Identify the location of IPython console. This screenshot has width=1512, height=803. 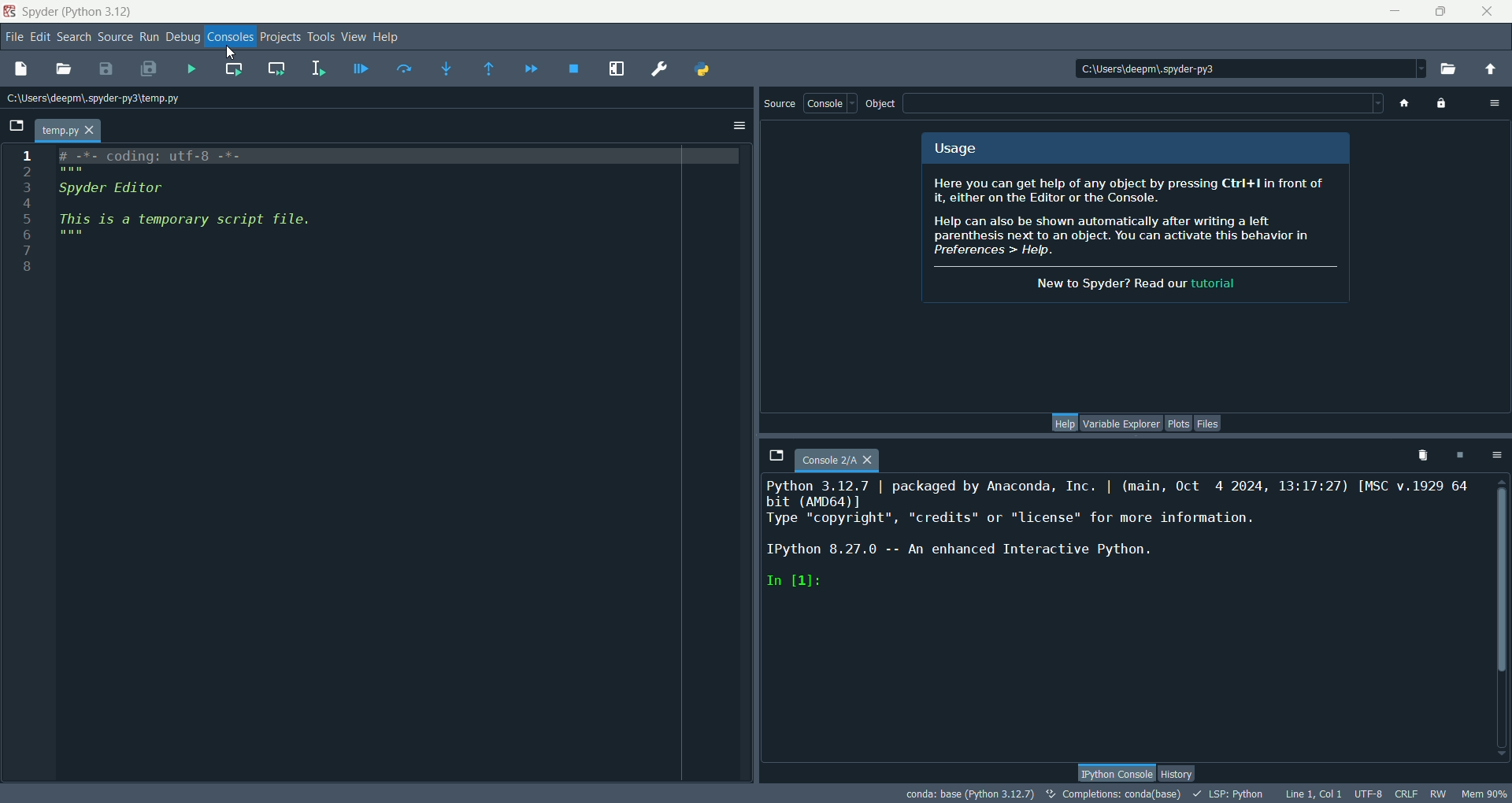
(1110, 774).